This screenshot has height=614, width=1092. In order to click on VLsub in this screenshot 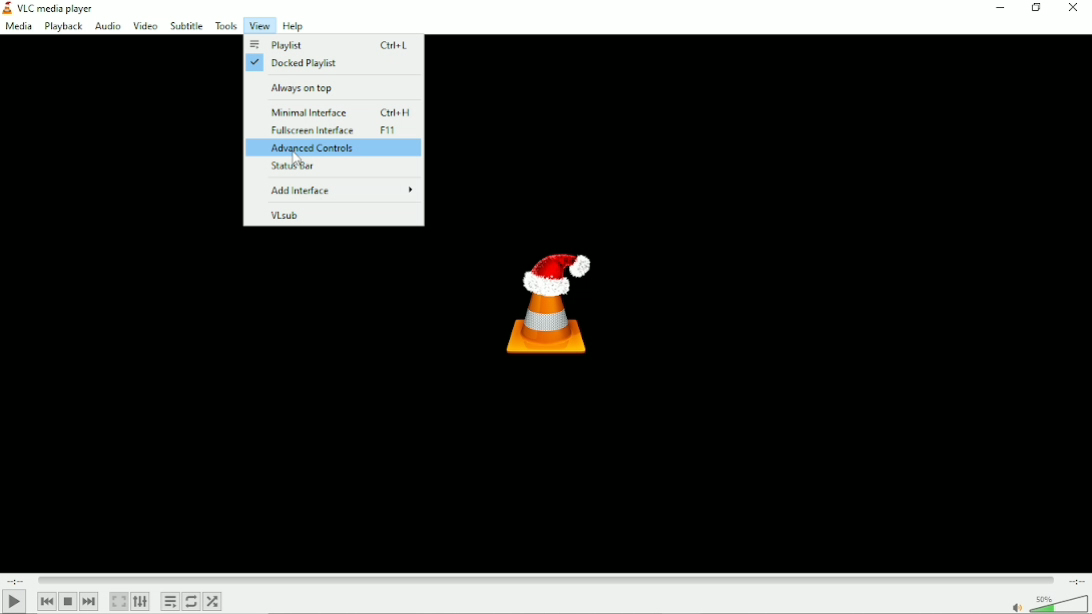, I will do `click(334, 214)`.